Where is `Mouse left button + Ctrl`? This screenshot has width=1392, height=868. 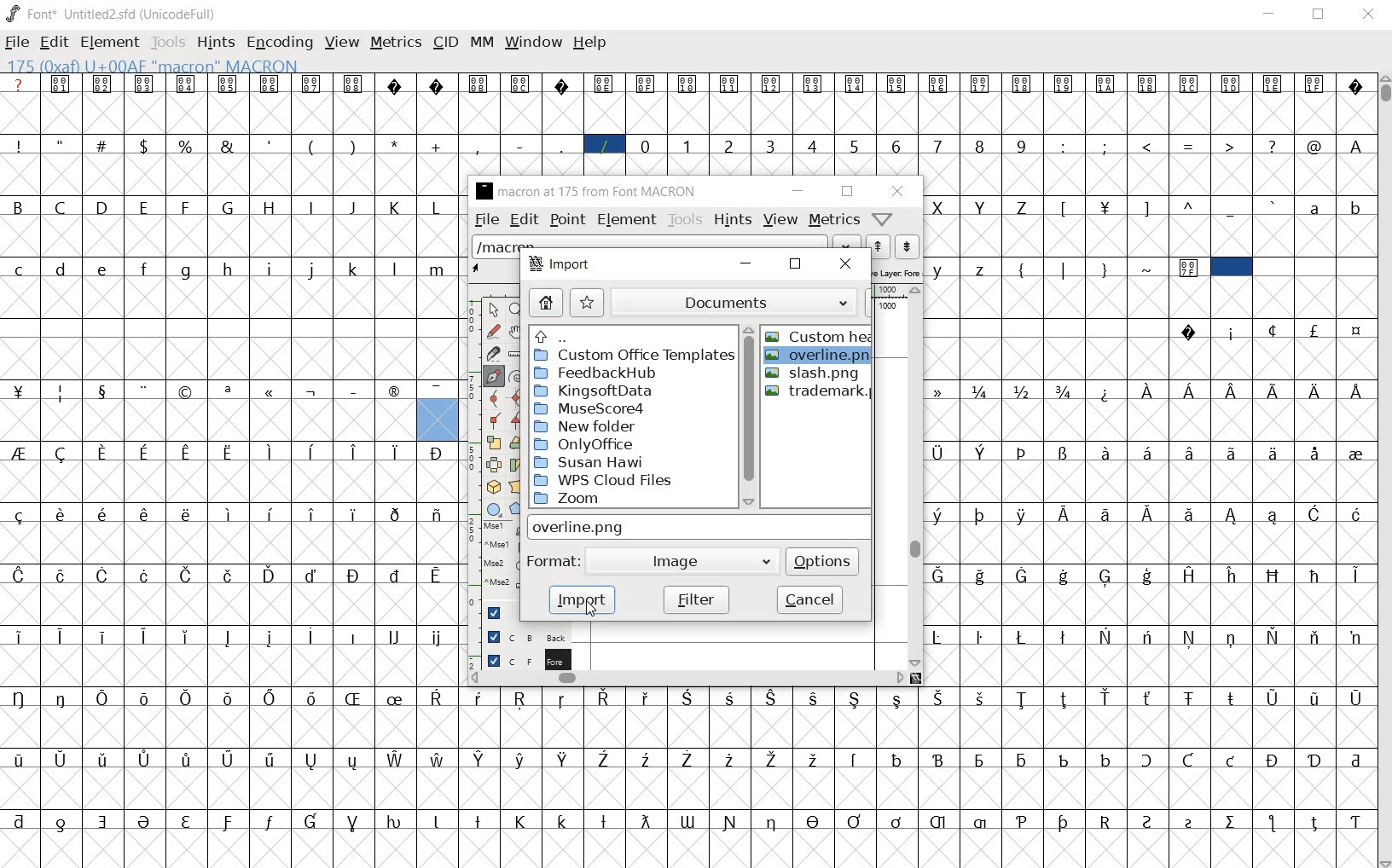 Mouse left button + Ctrl is located at coordinates (501, 547).